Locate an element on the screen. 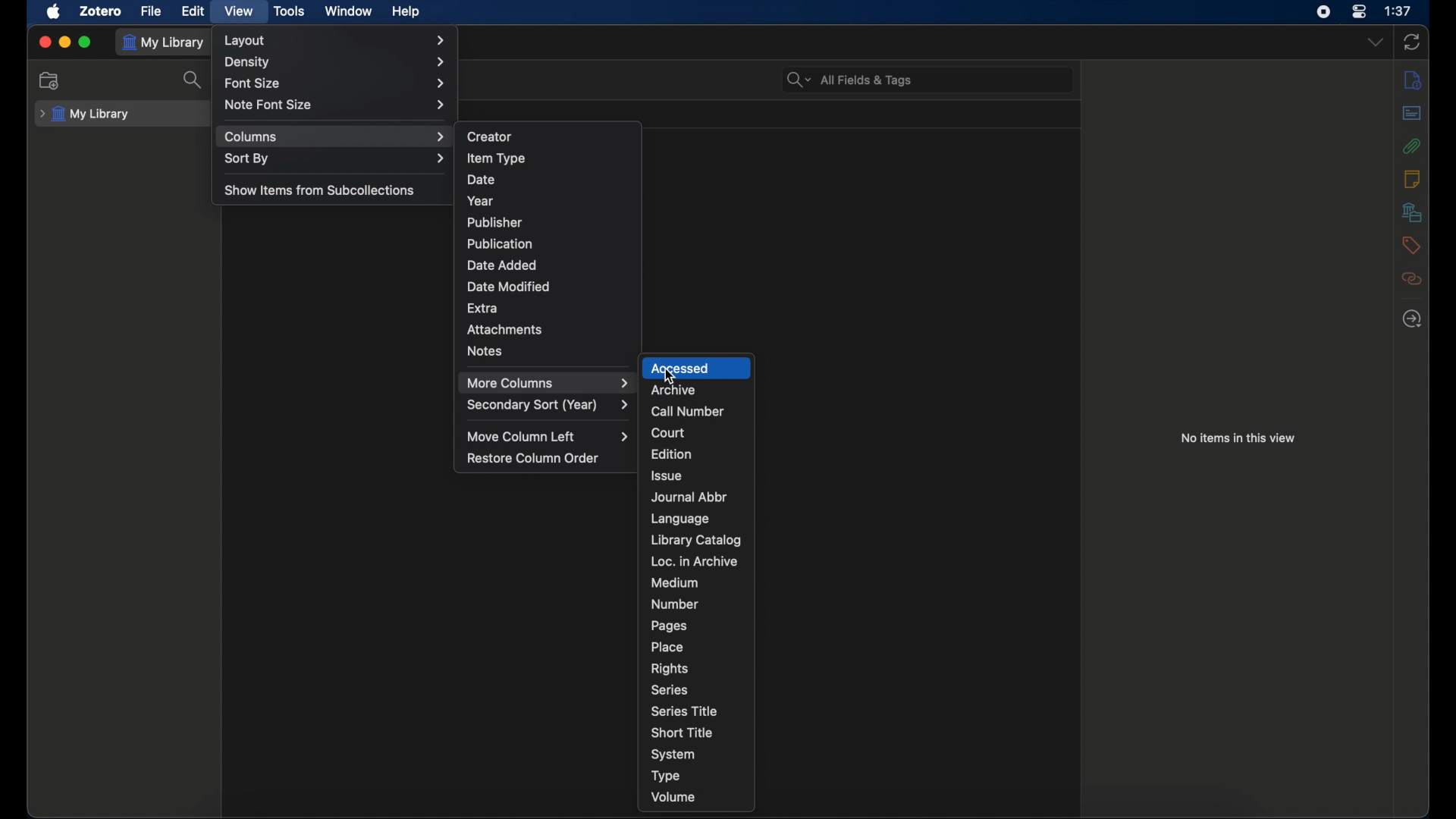 This screenshot has width=1456, height=819. my library is located at coordinates (167, 43).